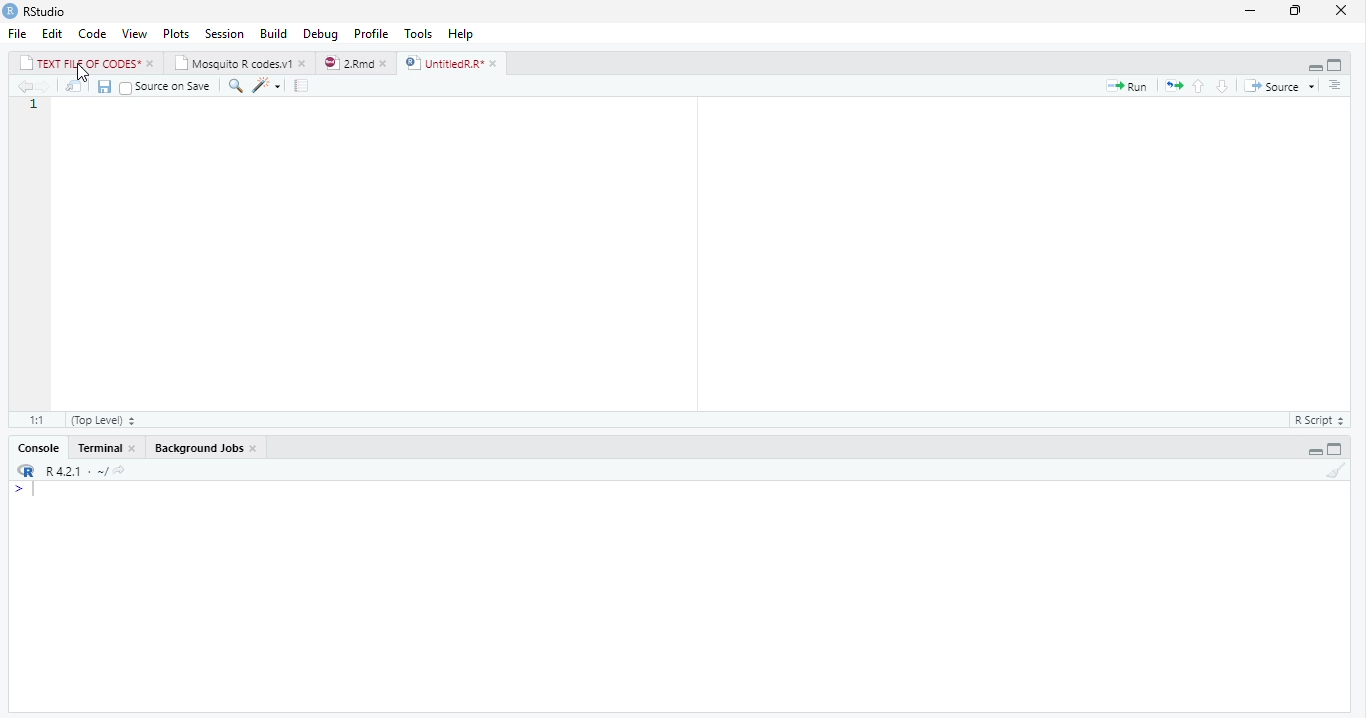 The width and height of the screenshot is (1366, 718). I want to click on minimize, so click(1314, 451).